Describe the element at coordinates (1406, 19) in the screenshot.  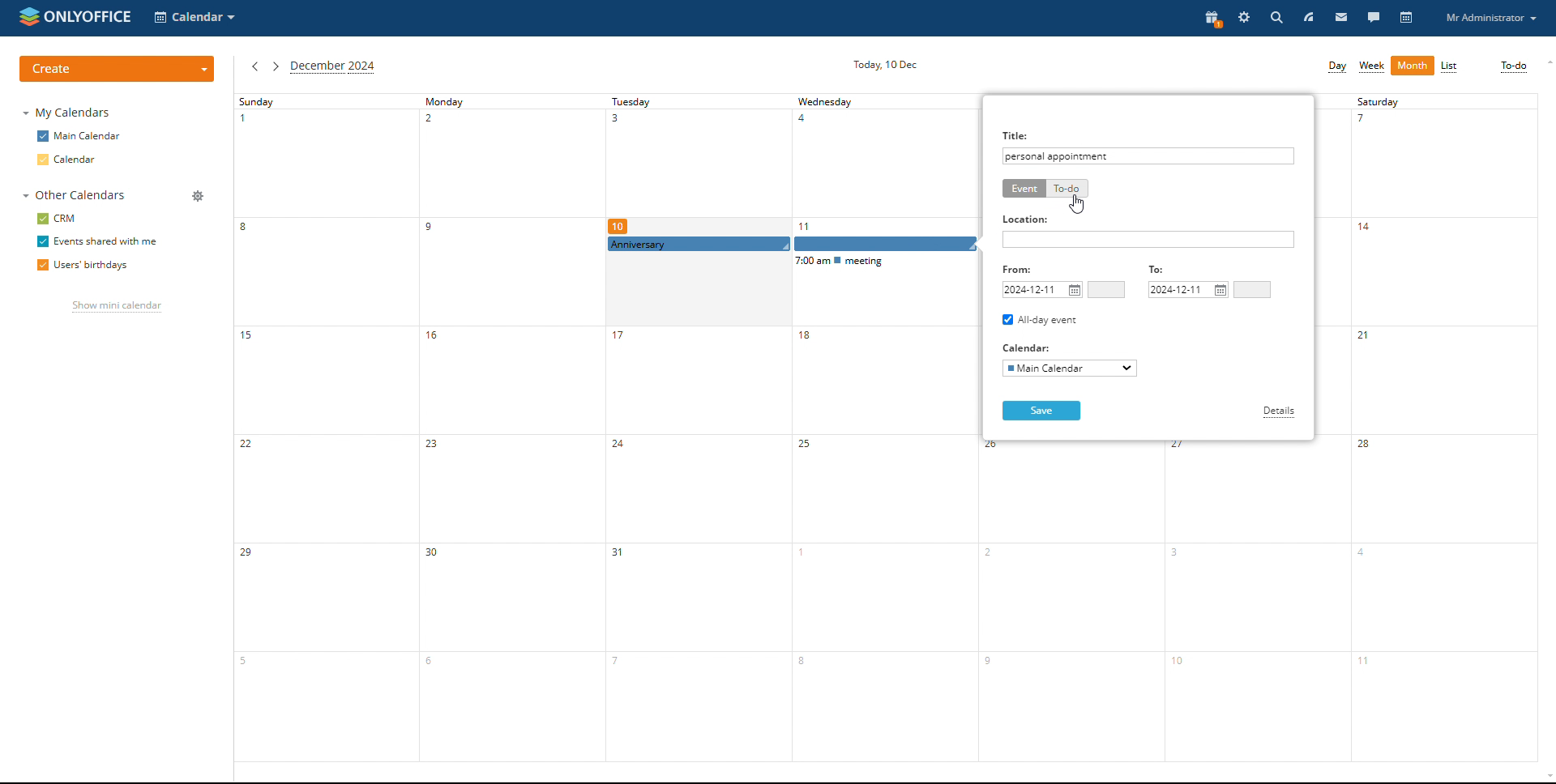
I see `calendar` at that location.